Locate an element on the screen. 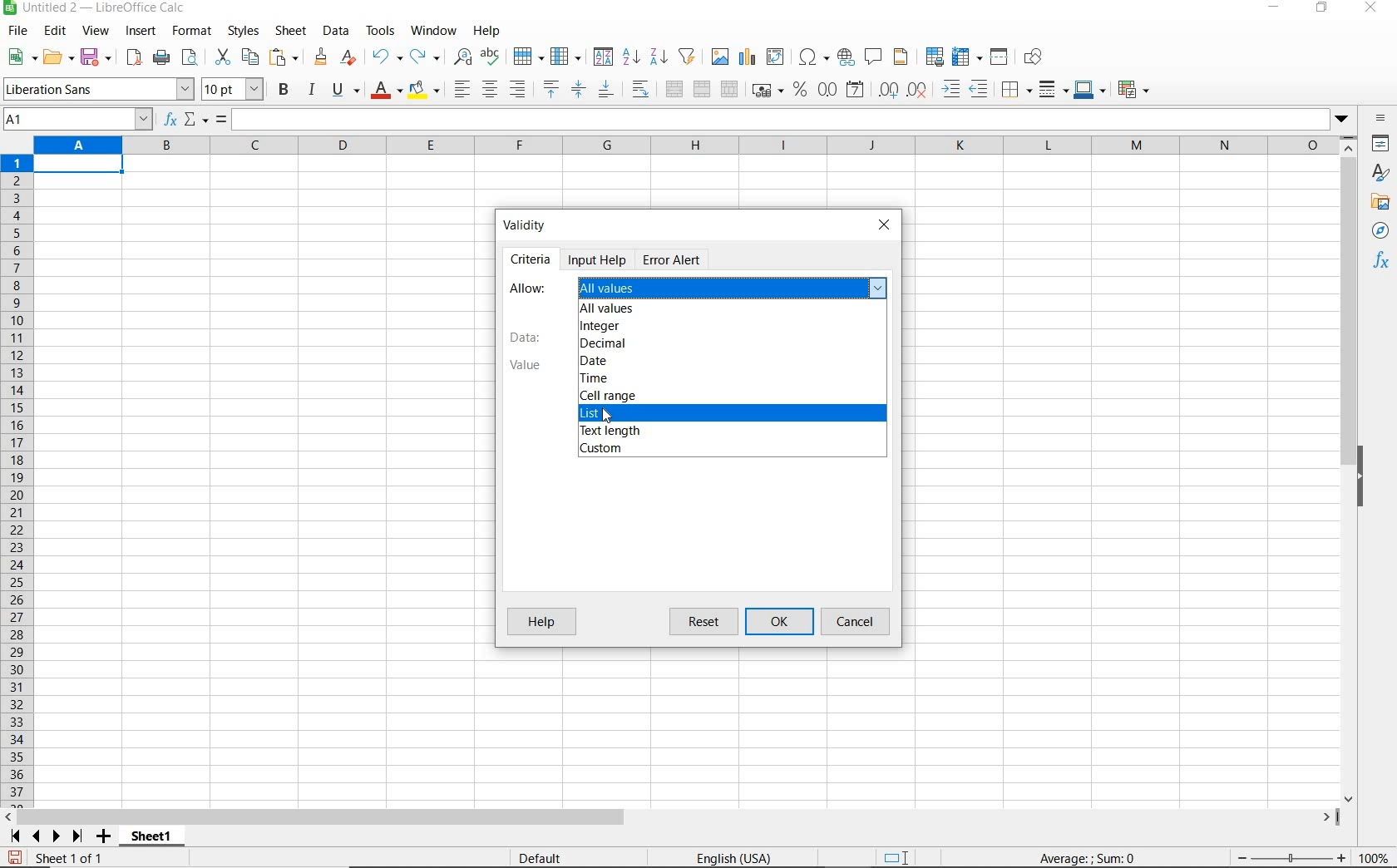  scrollbar is located at coordinates (1350, 470).